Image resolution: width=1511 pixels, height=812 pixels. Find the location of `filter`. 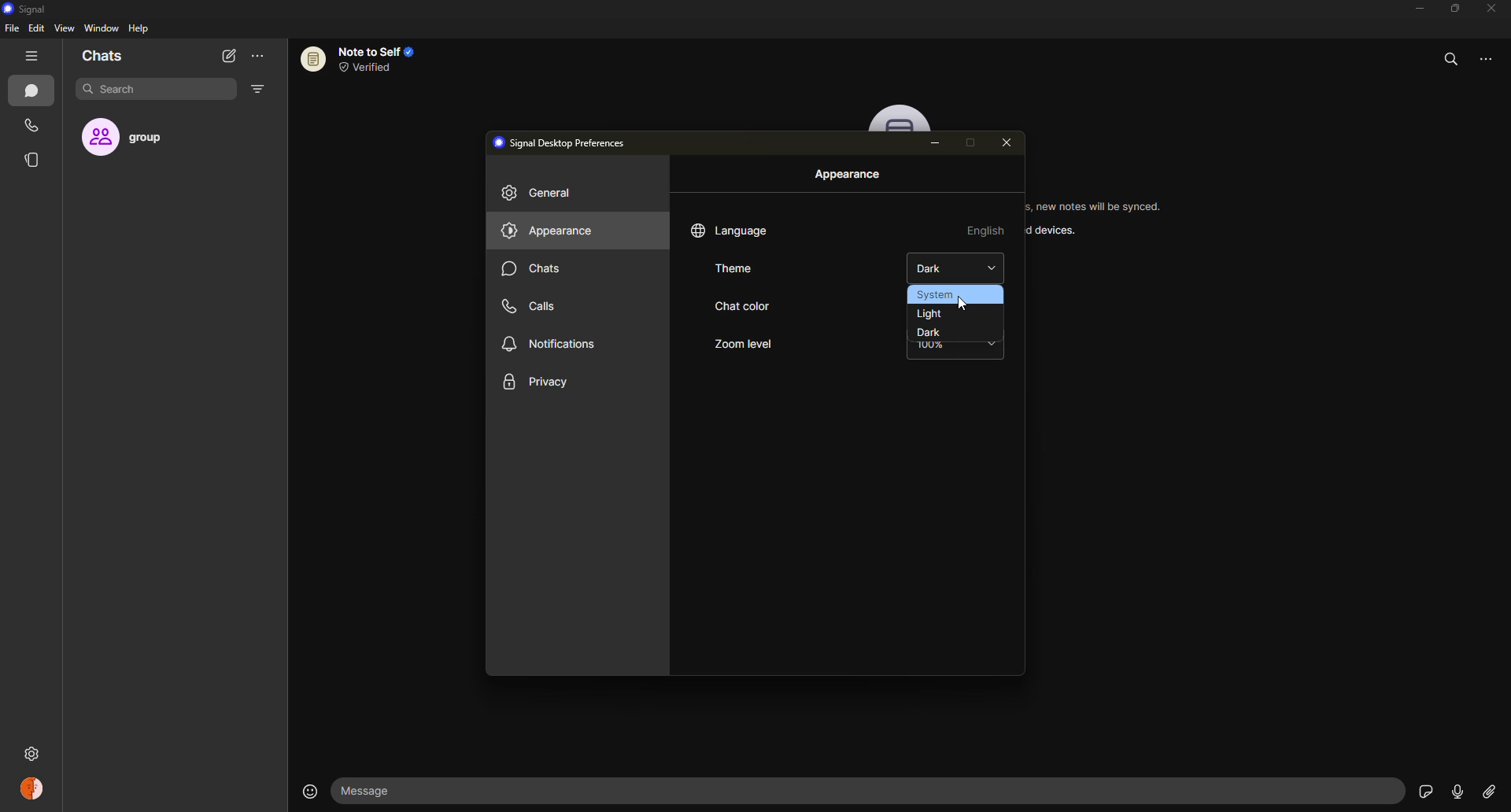

filter is located at coordinates (257, 90).